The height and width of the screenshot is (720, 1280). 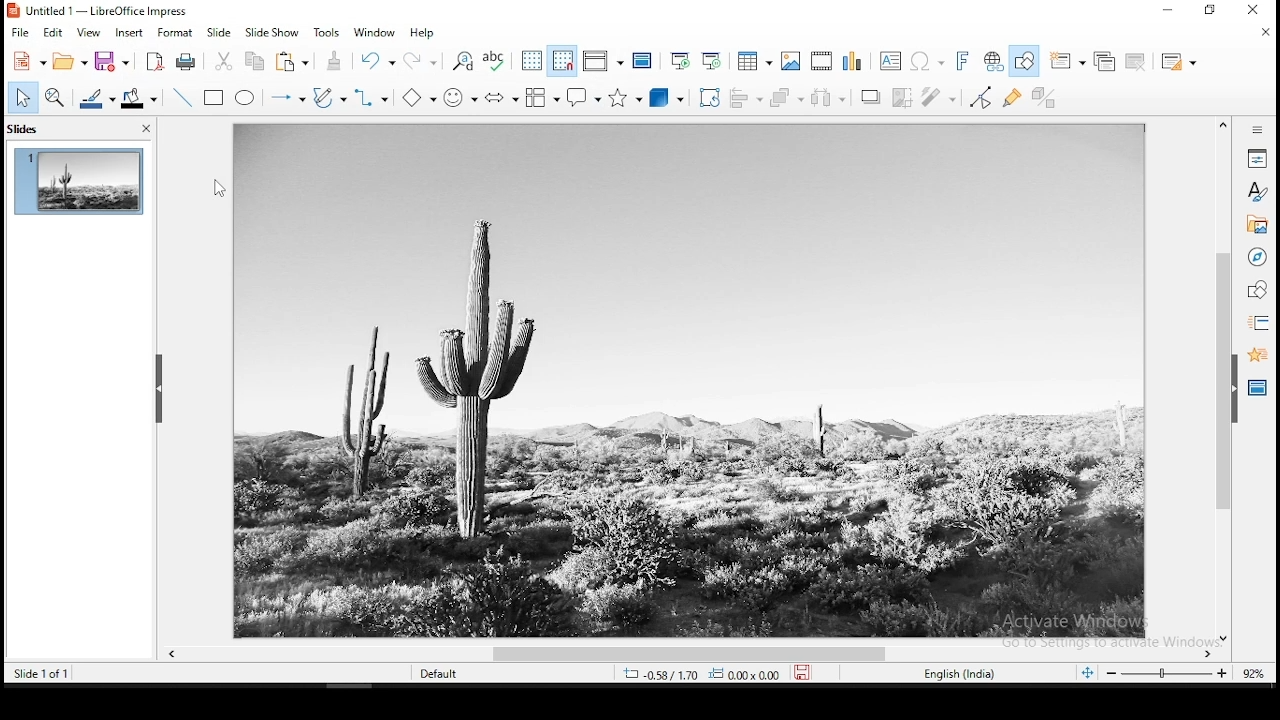 What do you see at coordinates (855, 62) in the screenshot?
I see `charts` at bounding box center [855, 62].